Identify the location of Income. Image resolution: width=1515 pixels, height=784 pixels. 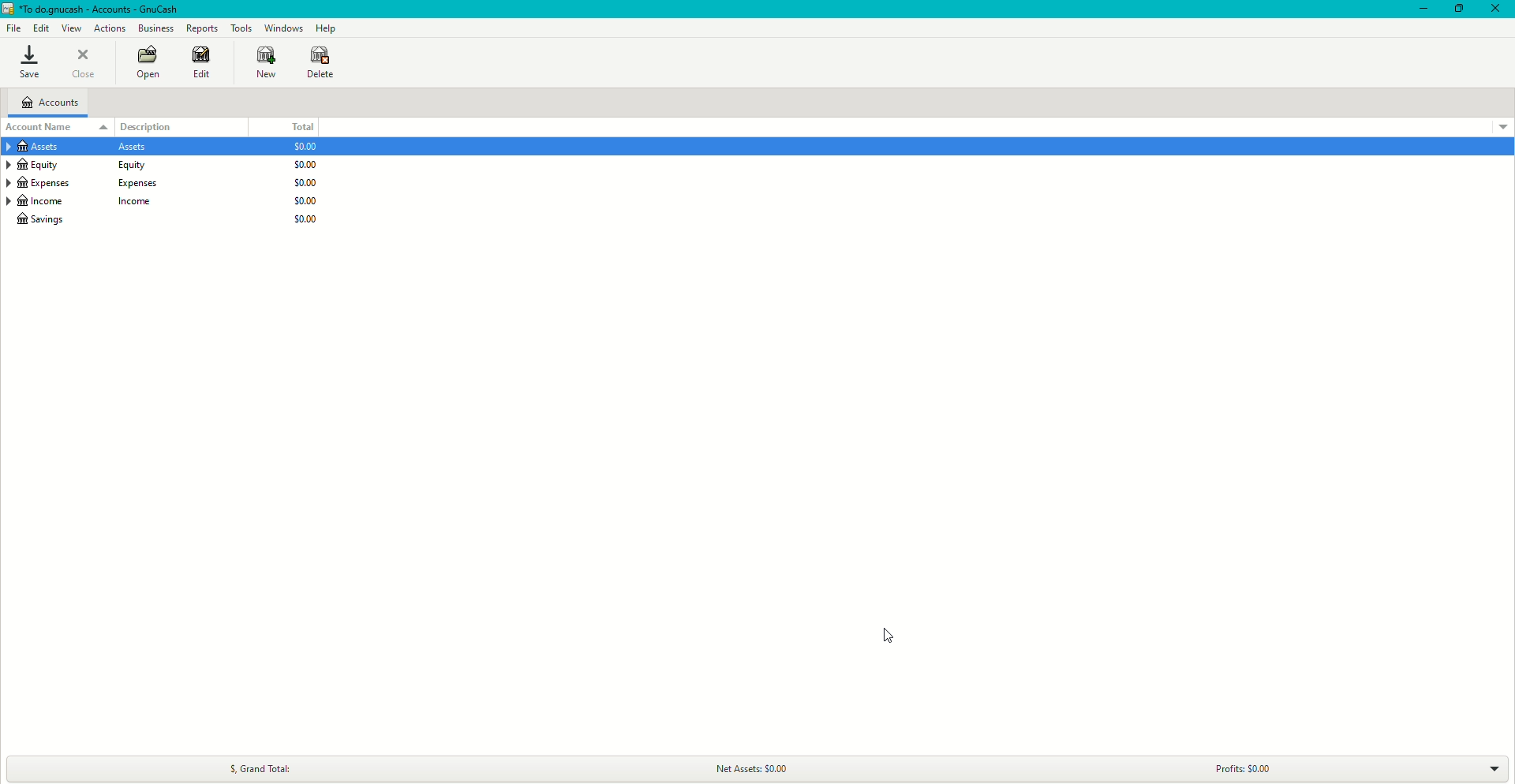
(87, 203).